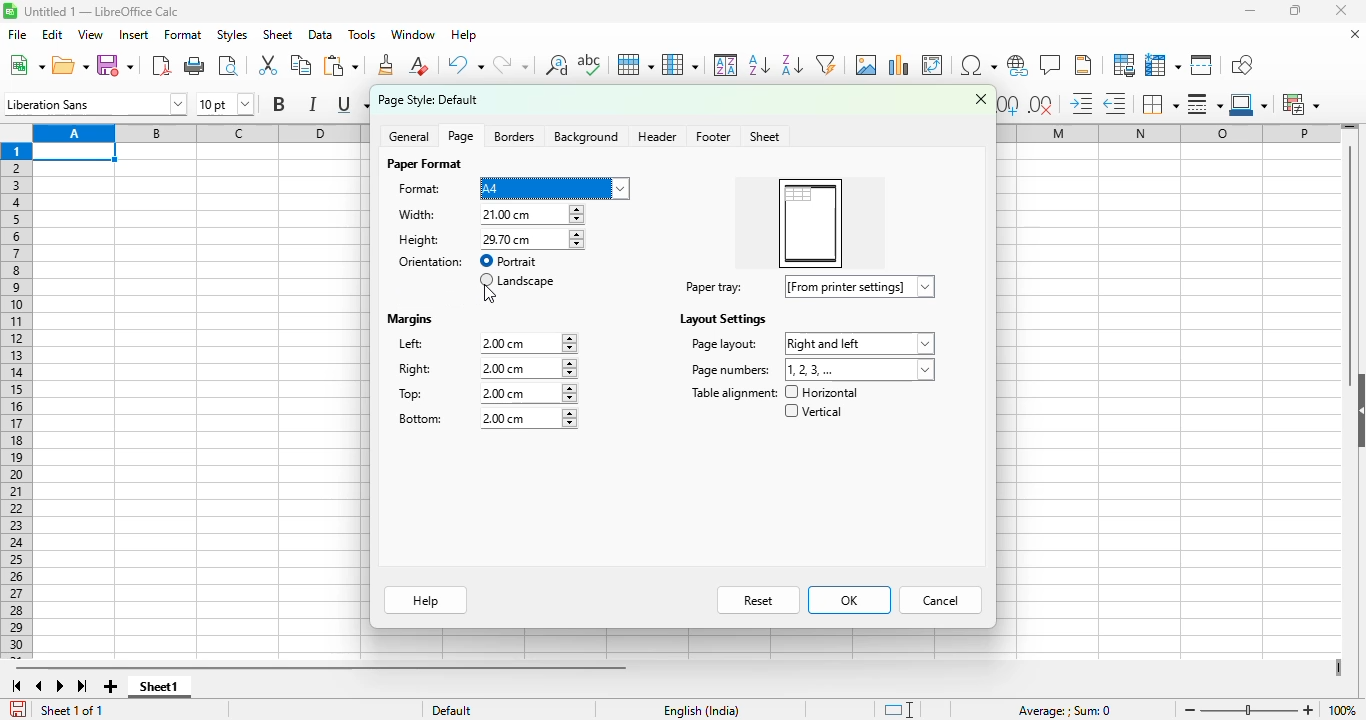 This screenshot has width=1366, height=720. Describe the element at coordinates (412, 343) in the screenshot. I see `left: ` at that location.